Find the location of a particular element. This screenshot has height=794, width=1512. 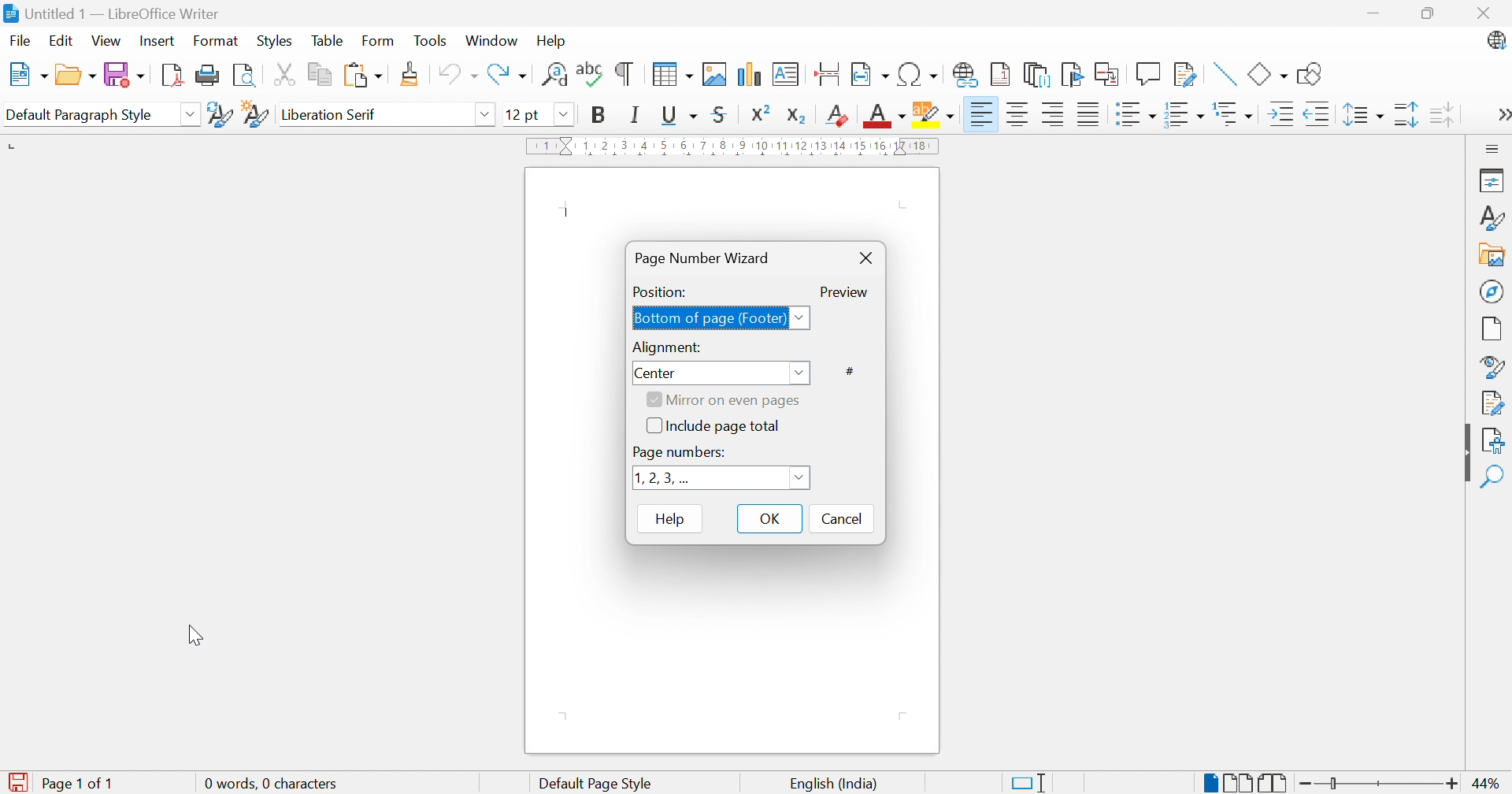

Increase paragraph spacing is located at coordinates (1407, 116).